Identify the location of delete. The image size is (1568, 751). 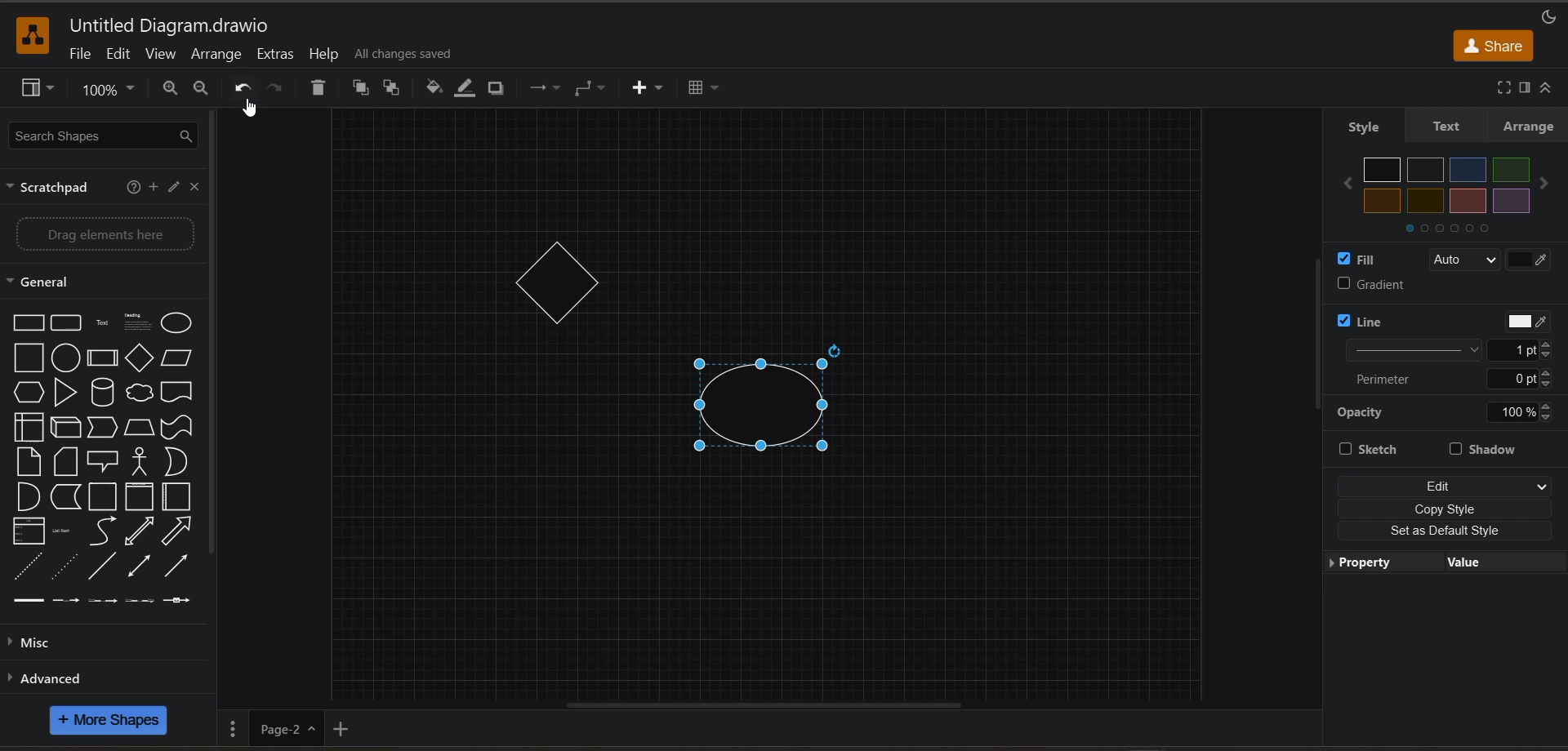
(318, 88).